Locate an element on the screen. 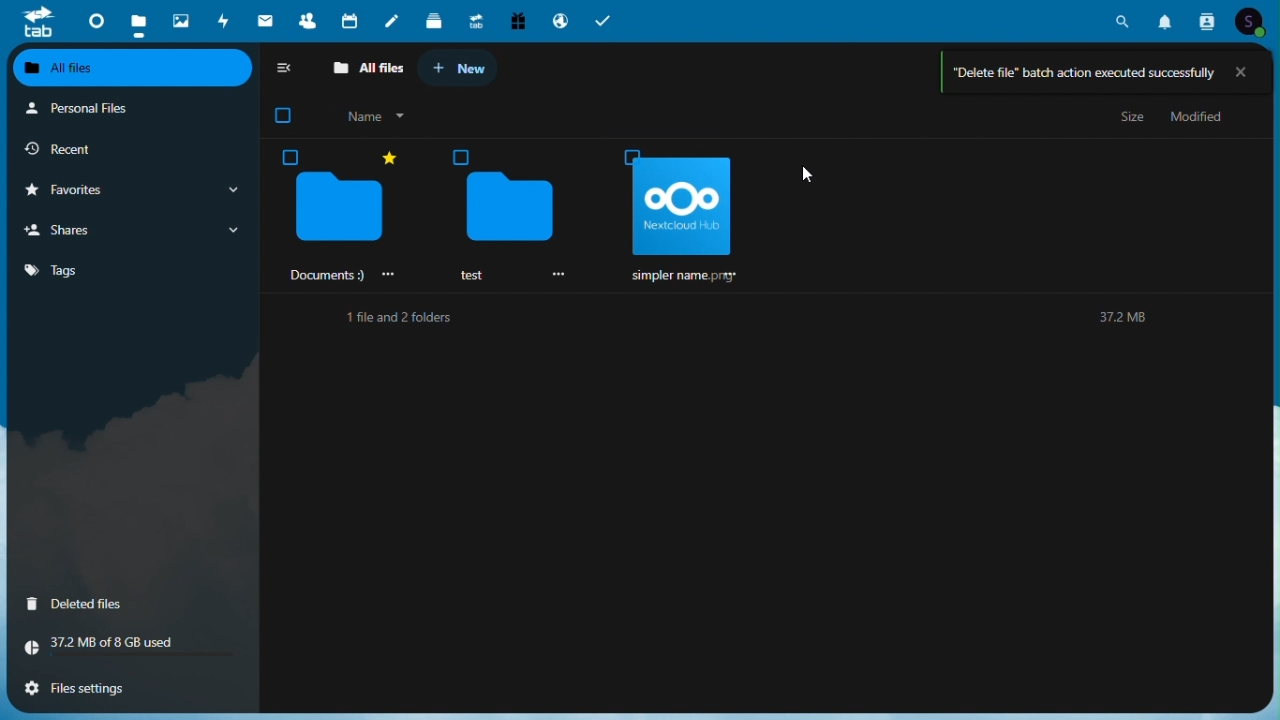 This screenshot has width=1280, height=720. Files is located at coordinates (138, 19).